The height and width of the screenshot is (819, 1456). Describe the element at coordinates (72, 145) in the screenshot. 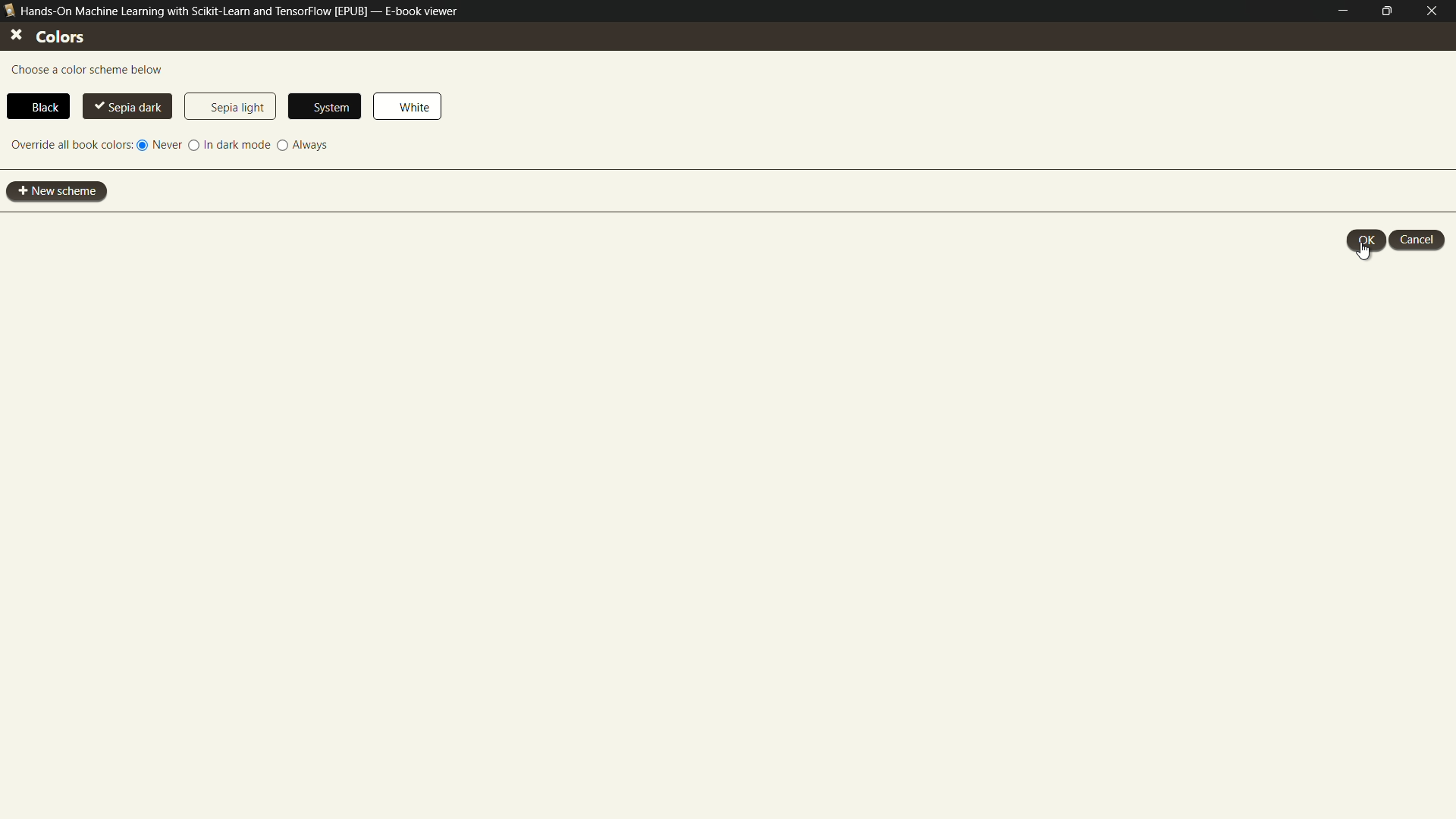

I see `override all book colors` at that location.